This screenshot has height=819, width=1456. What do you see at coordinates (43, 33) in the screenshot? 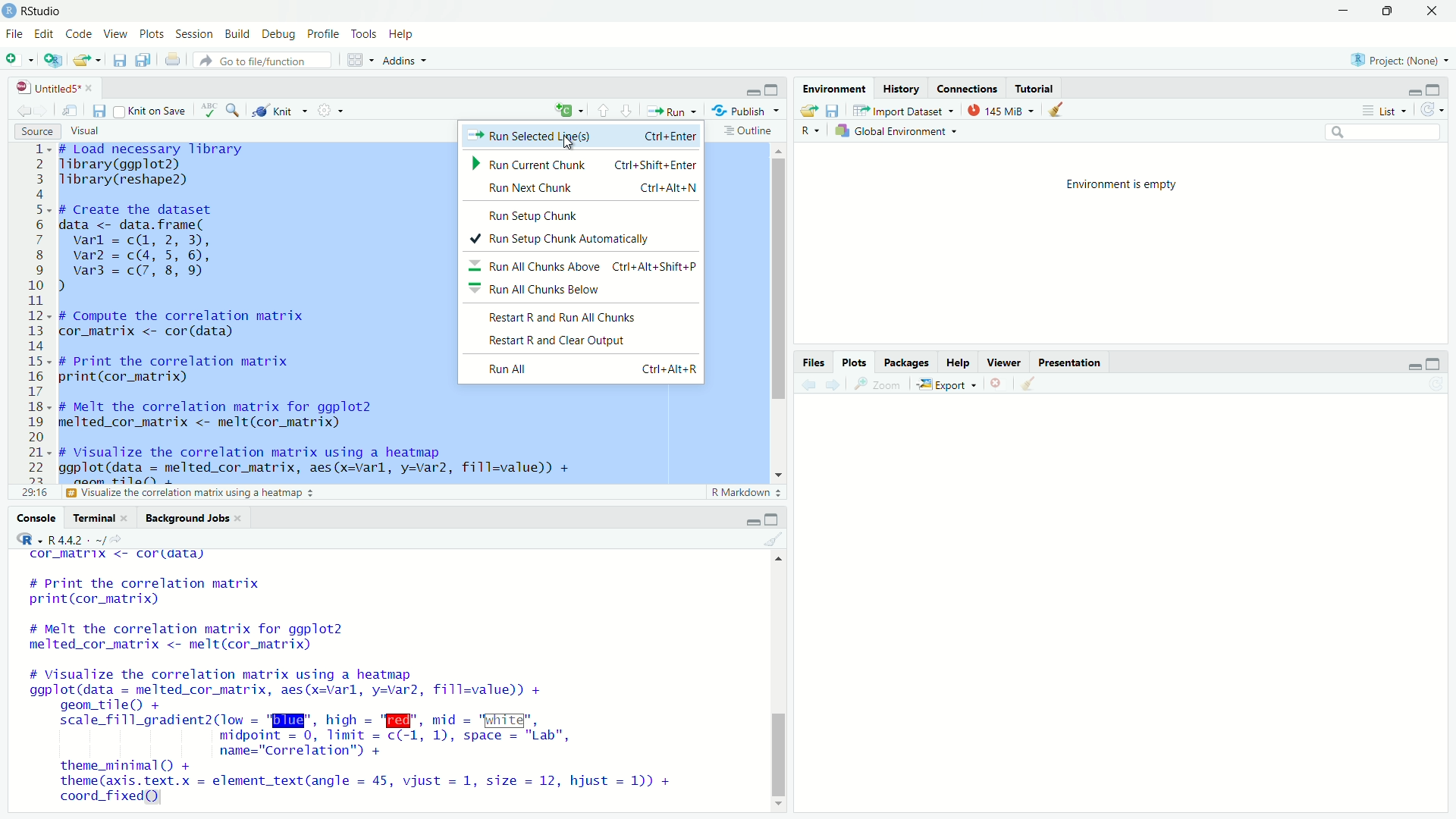
I see `edit` at bounding box center [43, 33].